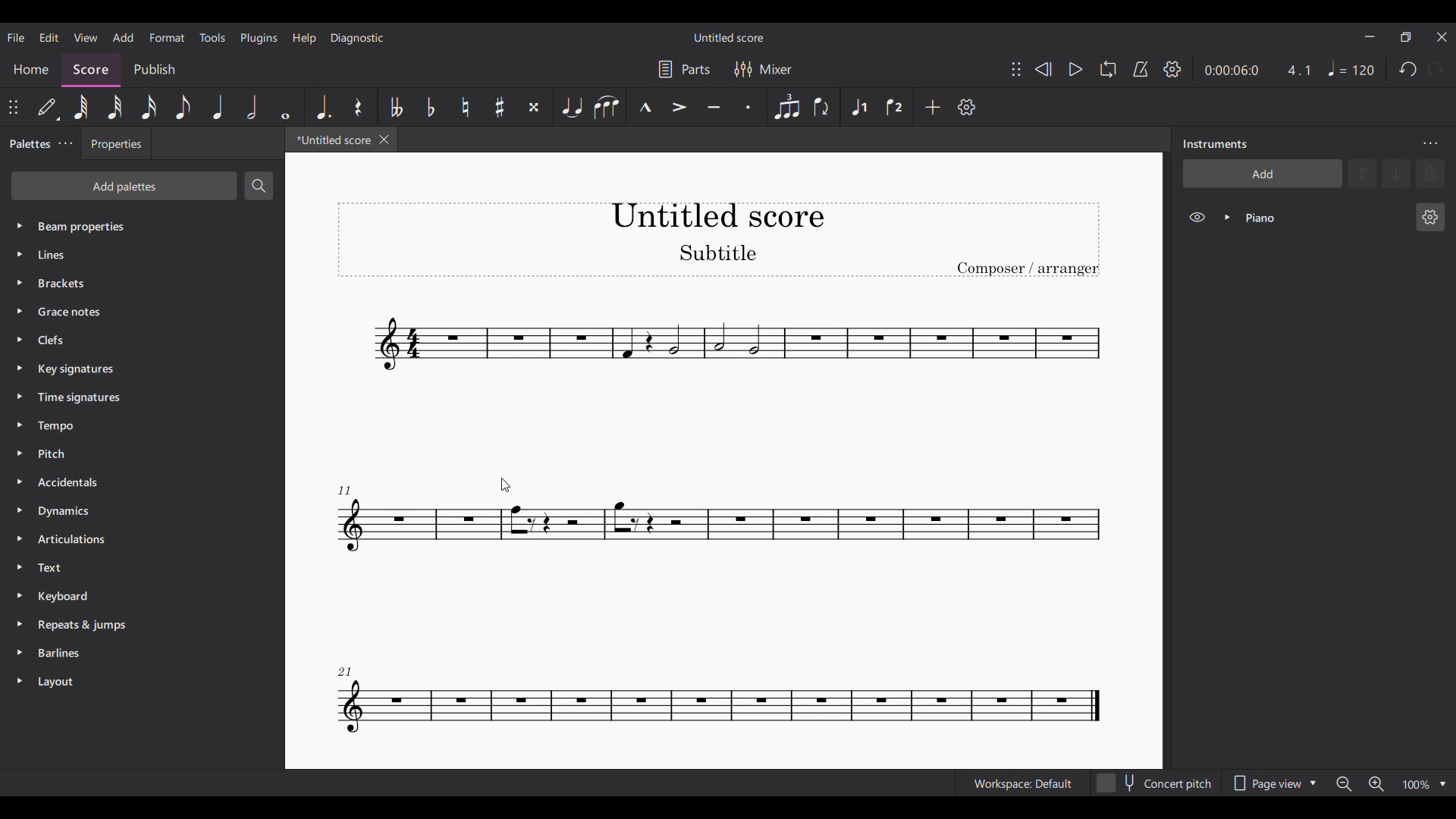 The height and width of the screenshot is (819, 1456). What do you see at coordinates (115, 107) in the screenshot?
I see `32nd note` at bounding box center [115, 107].